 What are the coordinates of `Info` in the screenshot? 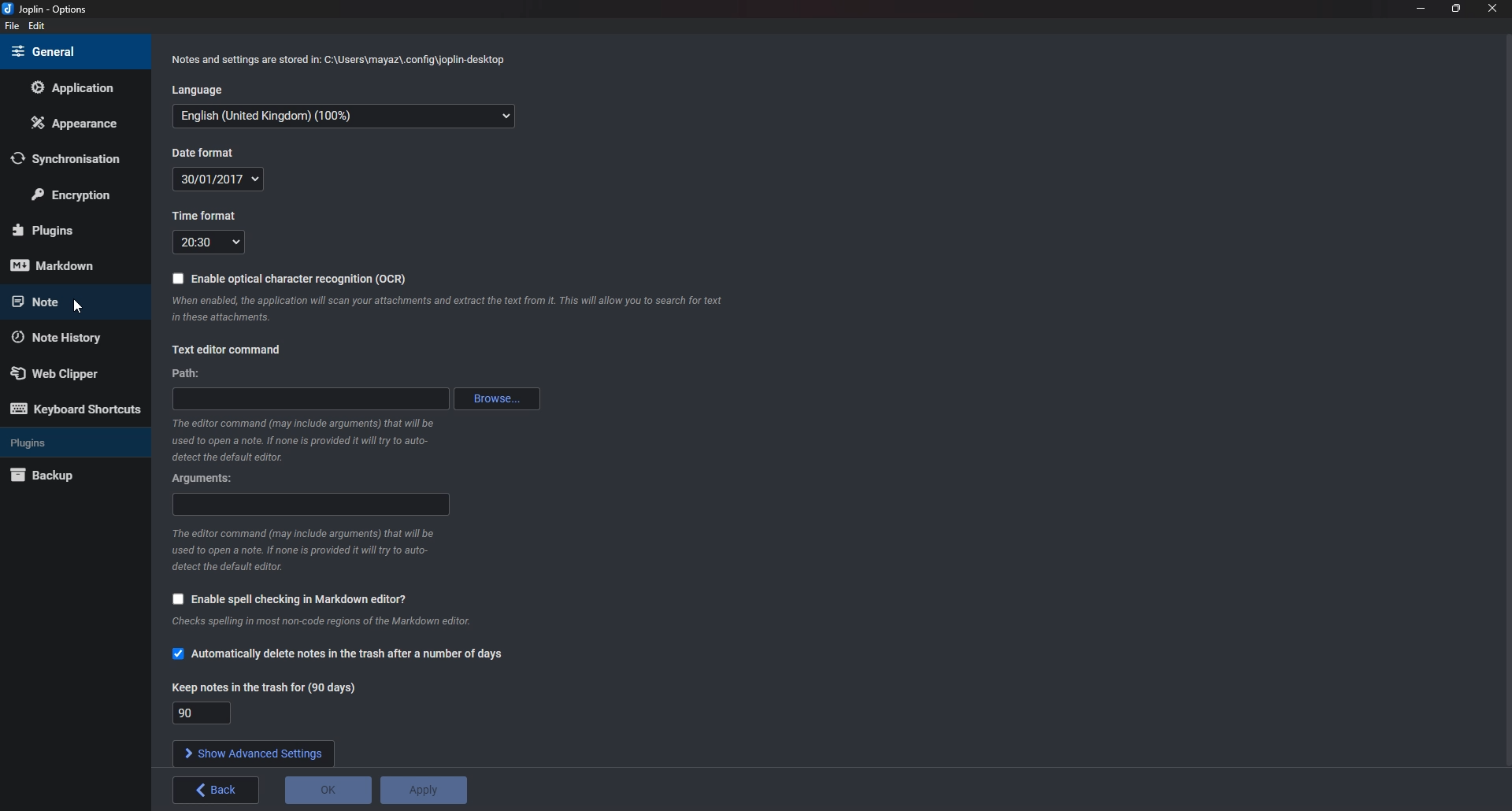 It's located at (448, 309).